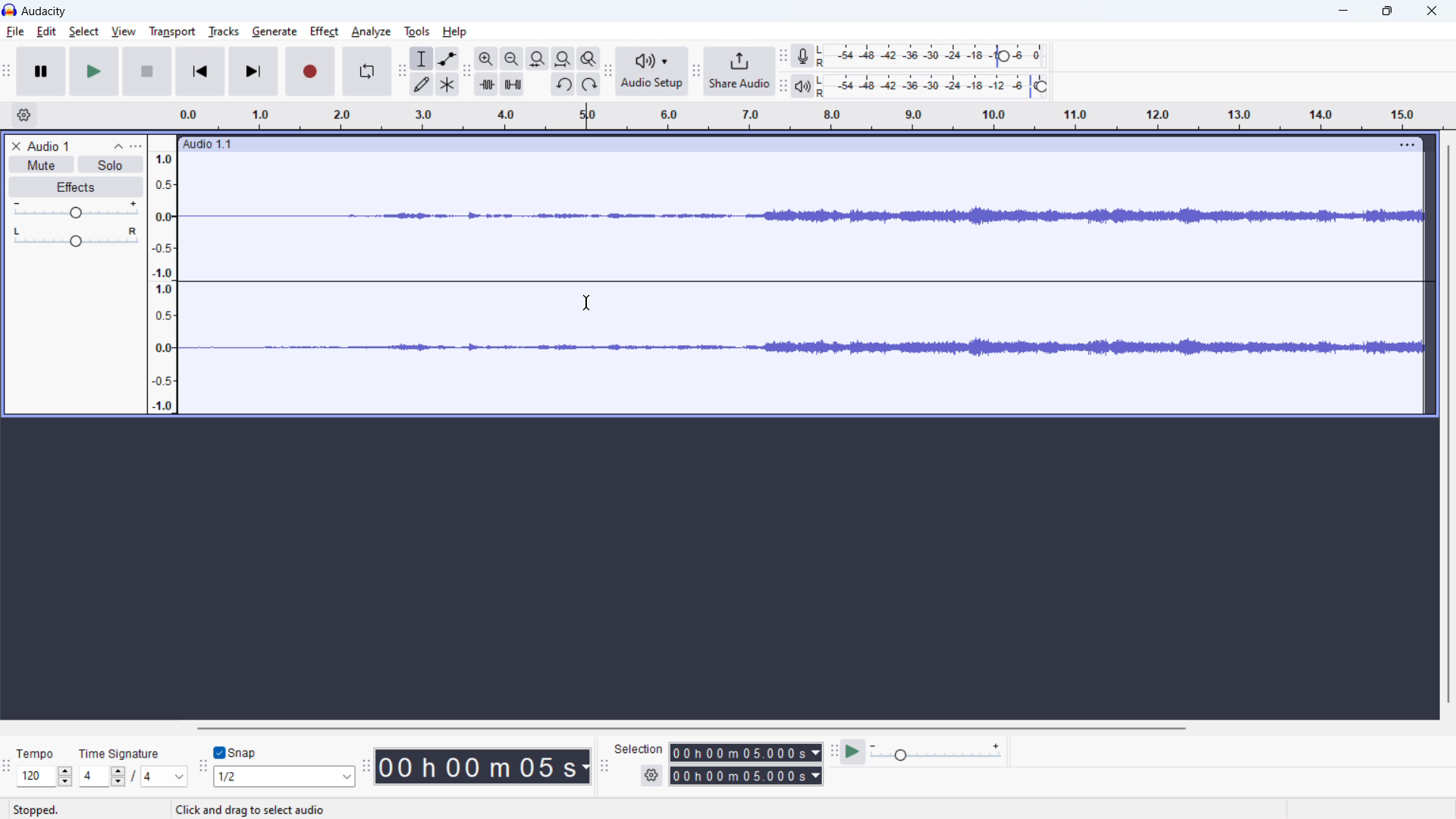 The width and height of the screenshot is (1456, 819). What do you see at coordinates (36, 810) in the screenshot?
I see `Stopped` at bounding box center [36, 810].